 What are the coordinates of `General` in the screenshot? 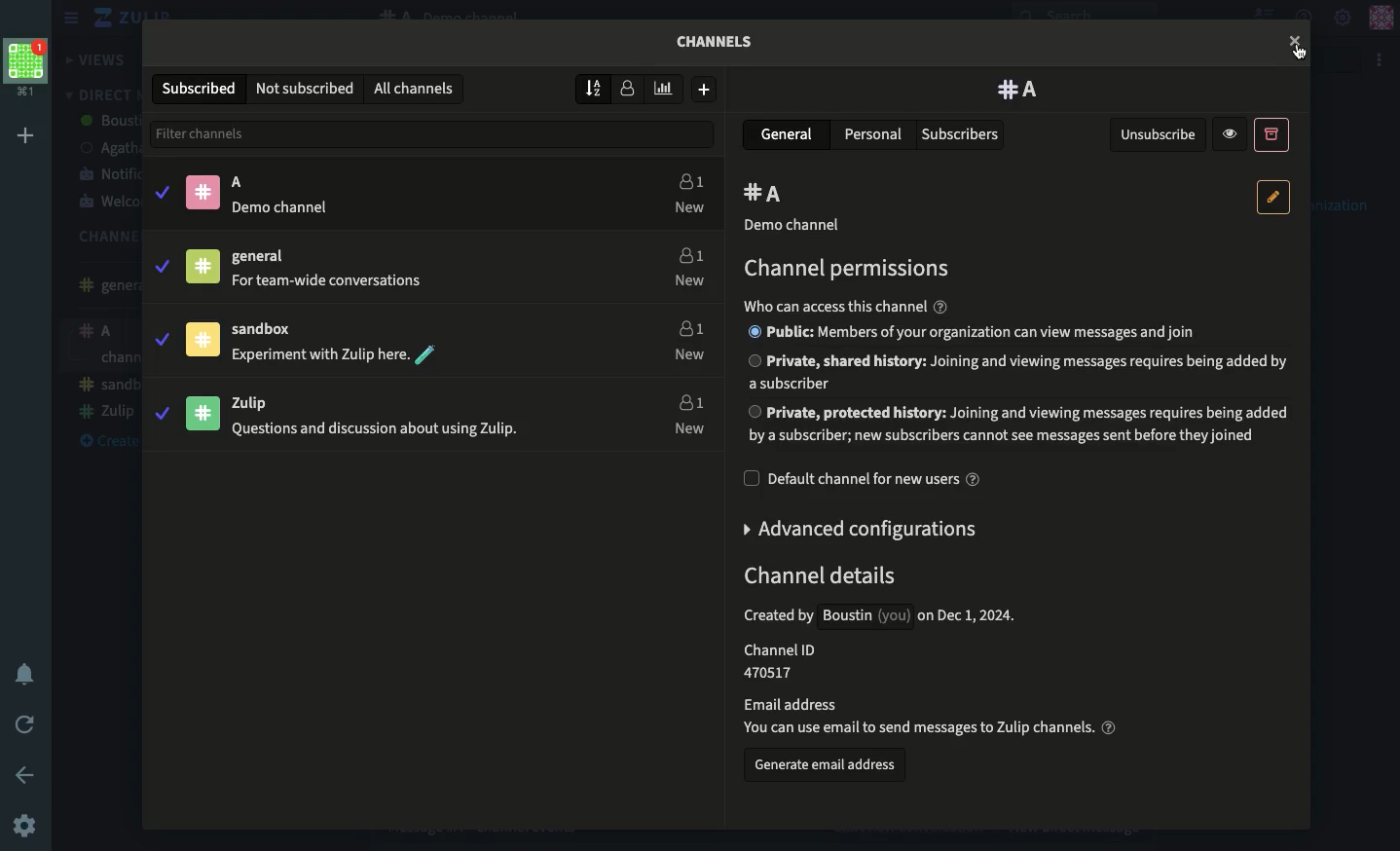 It's located at (790, 133).